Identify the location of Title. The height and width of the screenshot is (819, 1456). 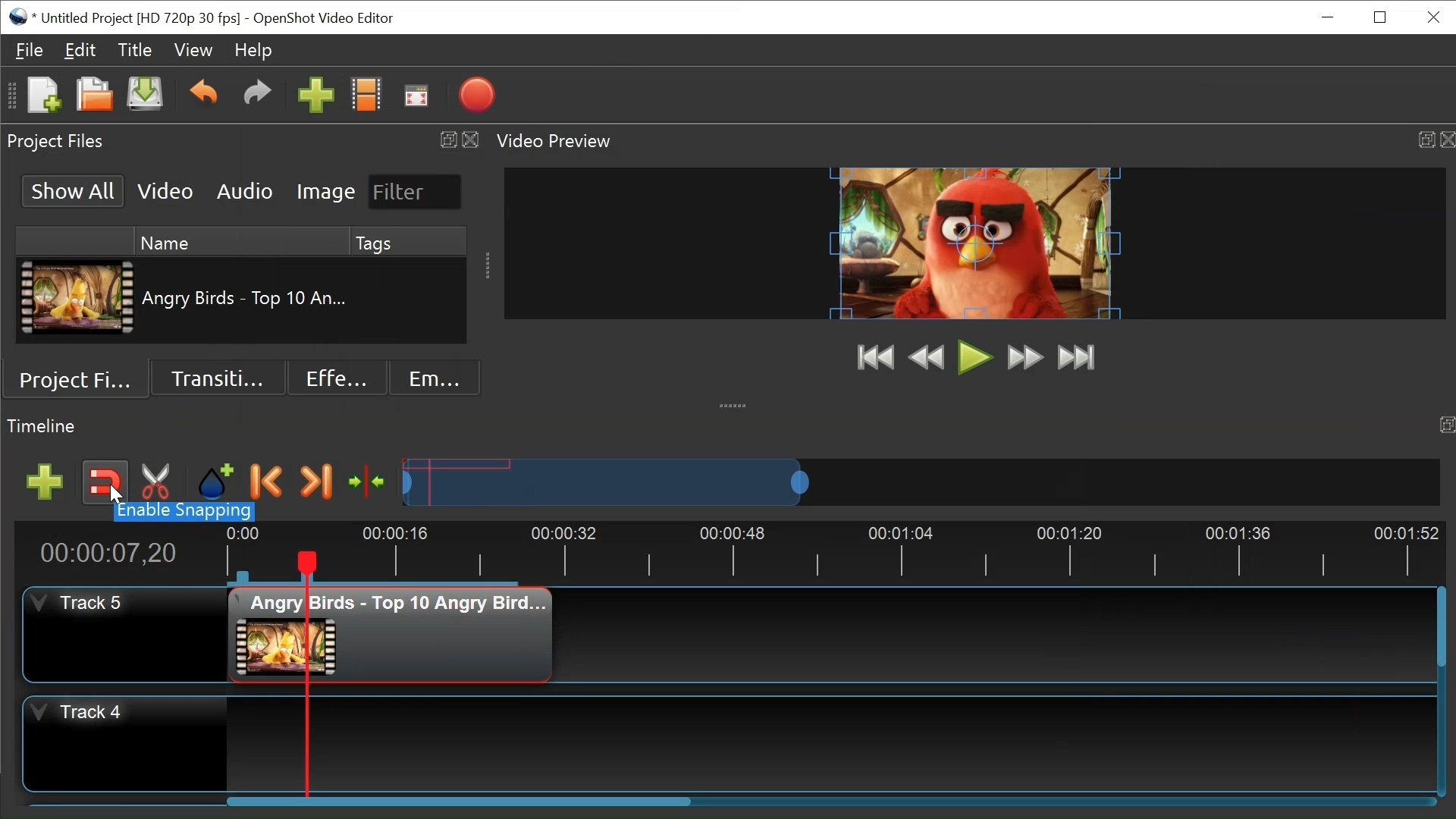
(133, 49).